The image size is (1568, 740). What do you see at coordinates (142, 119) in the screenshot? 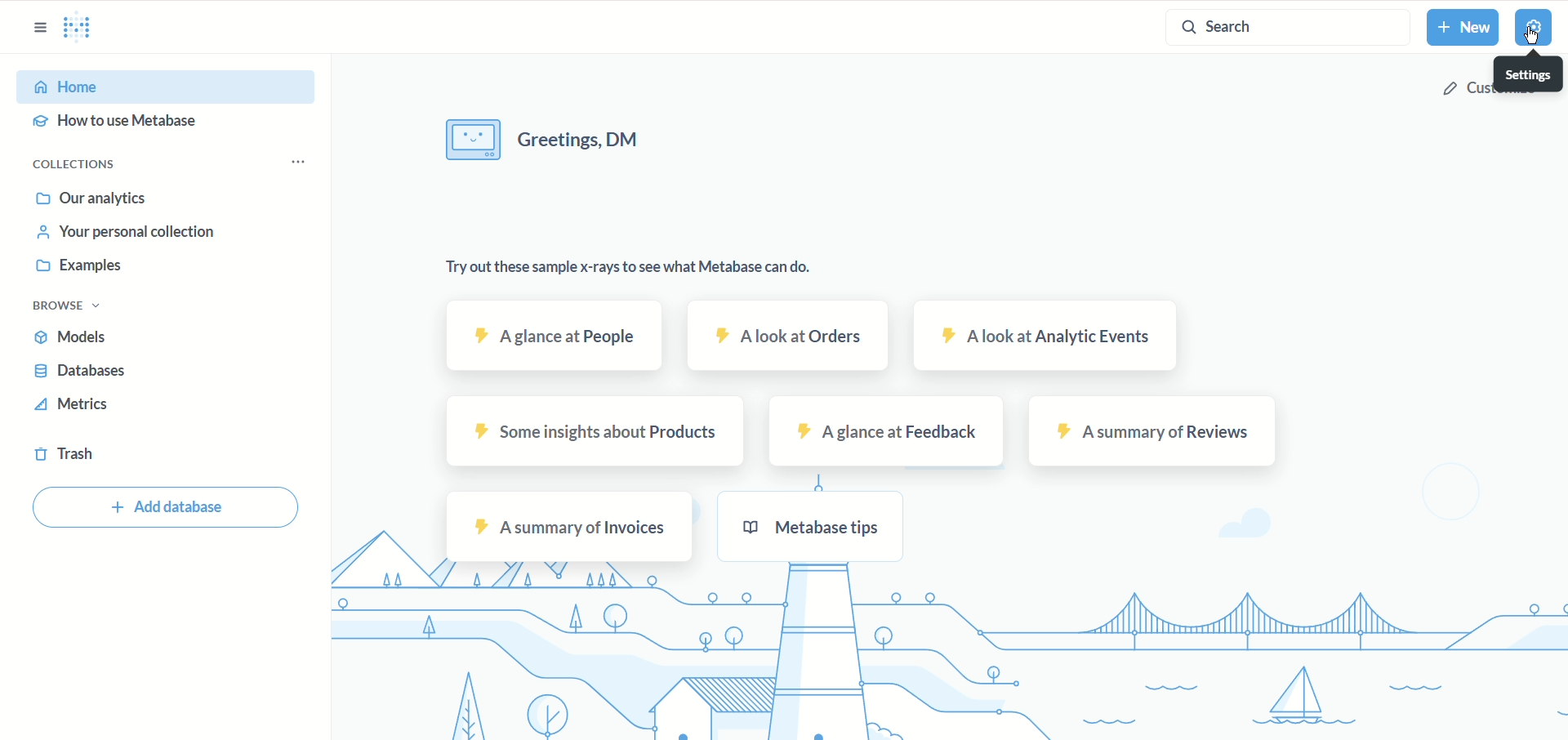
I see `How to use metabase` at bounding box center [142, 119].